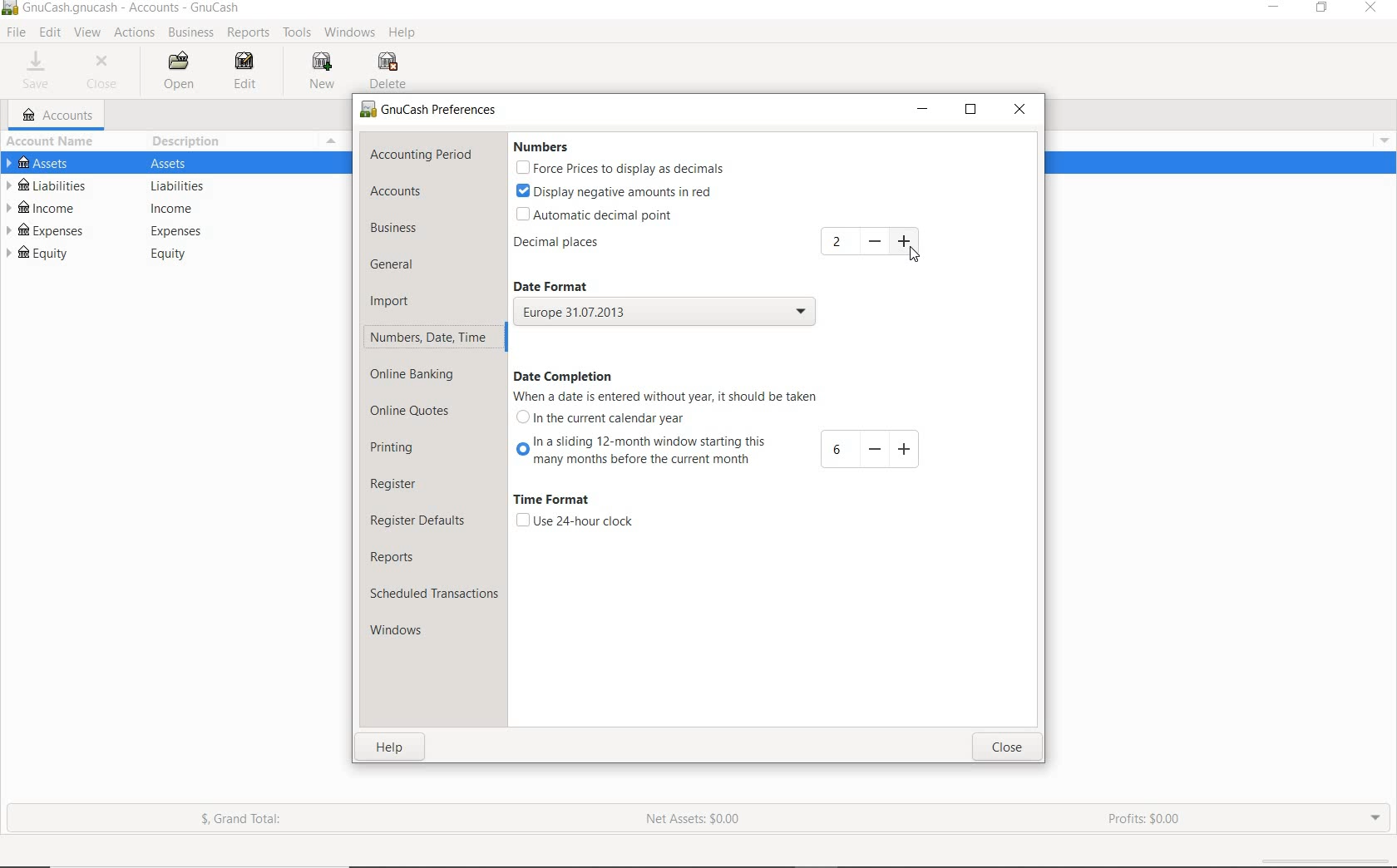 The width and height of the screenshot is (1397, 868). What do you see at coordinates (694, 820) in the screenshot?
I see `NET ASSETS` at bounding box center [694, 820].